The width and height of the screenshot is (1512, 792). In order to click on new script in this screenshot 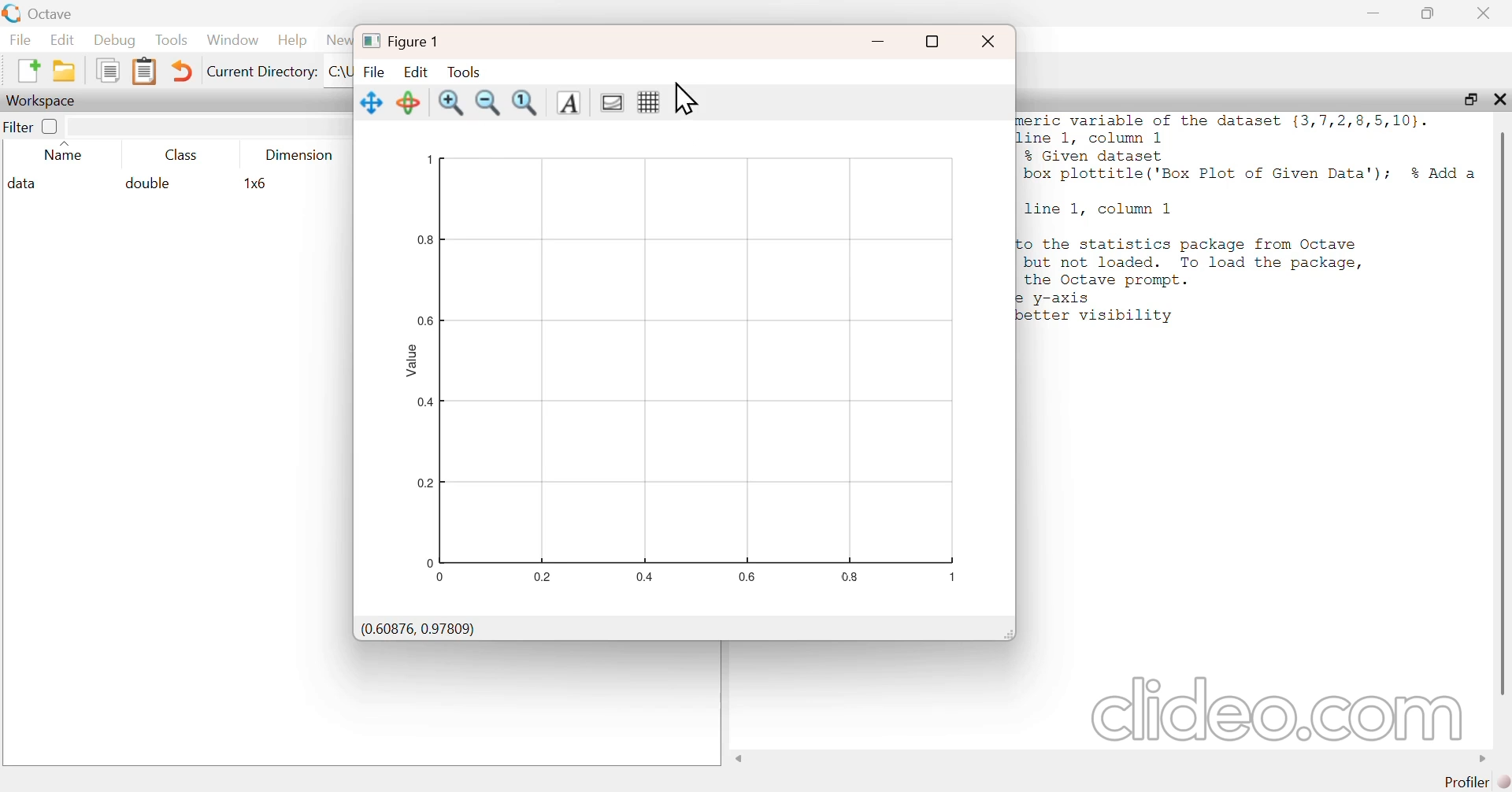, I will do `click(23, 69)`.